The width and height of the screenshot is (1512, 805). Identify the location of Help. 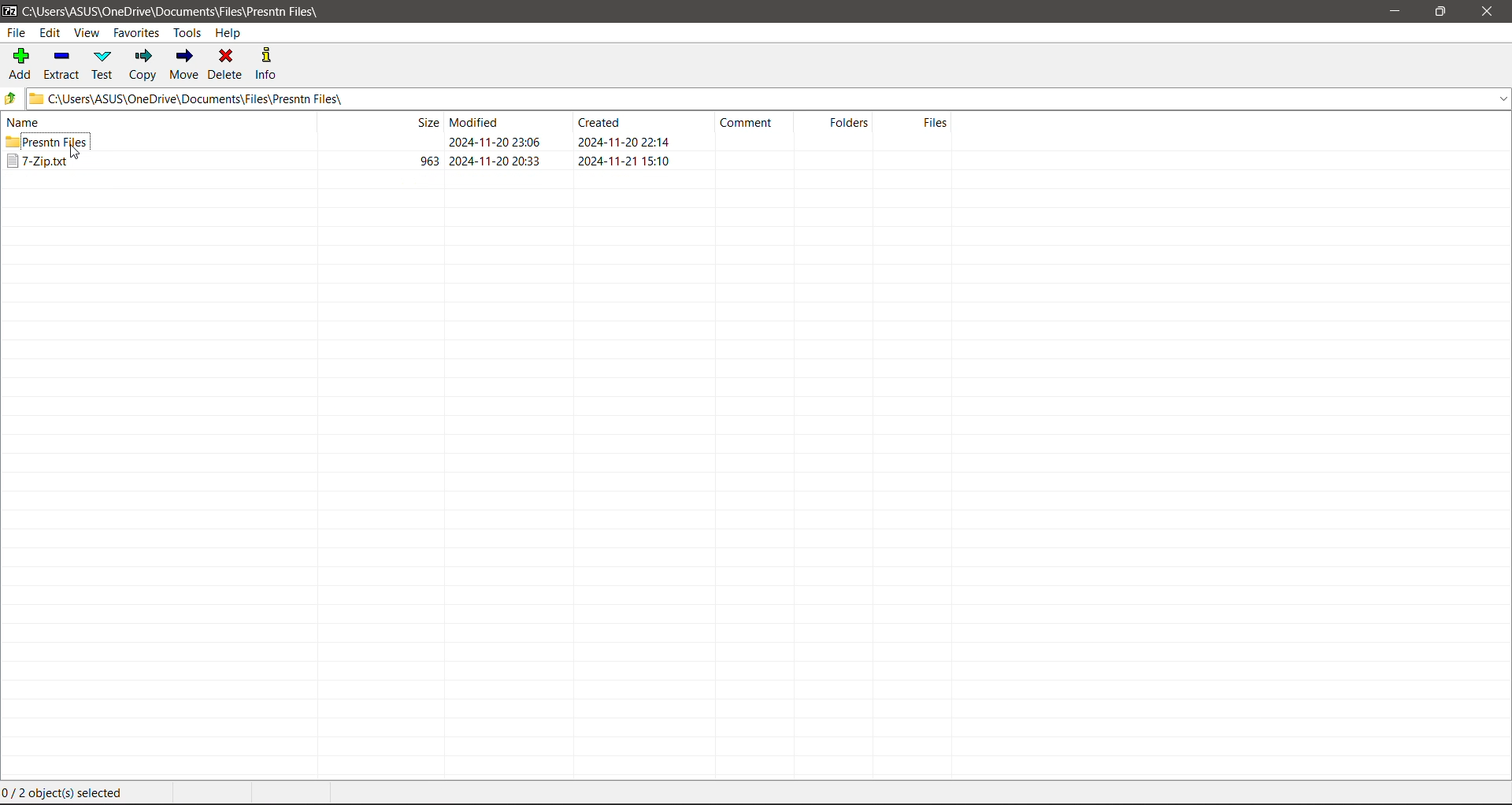
(228, 33).